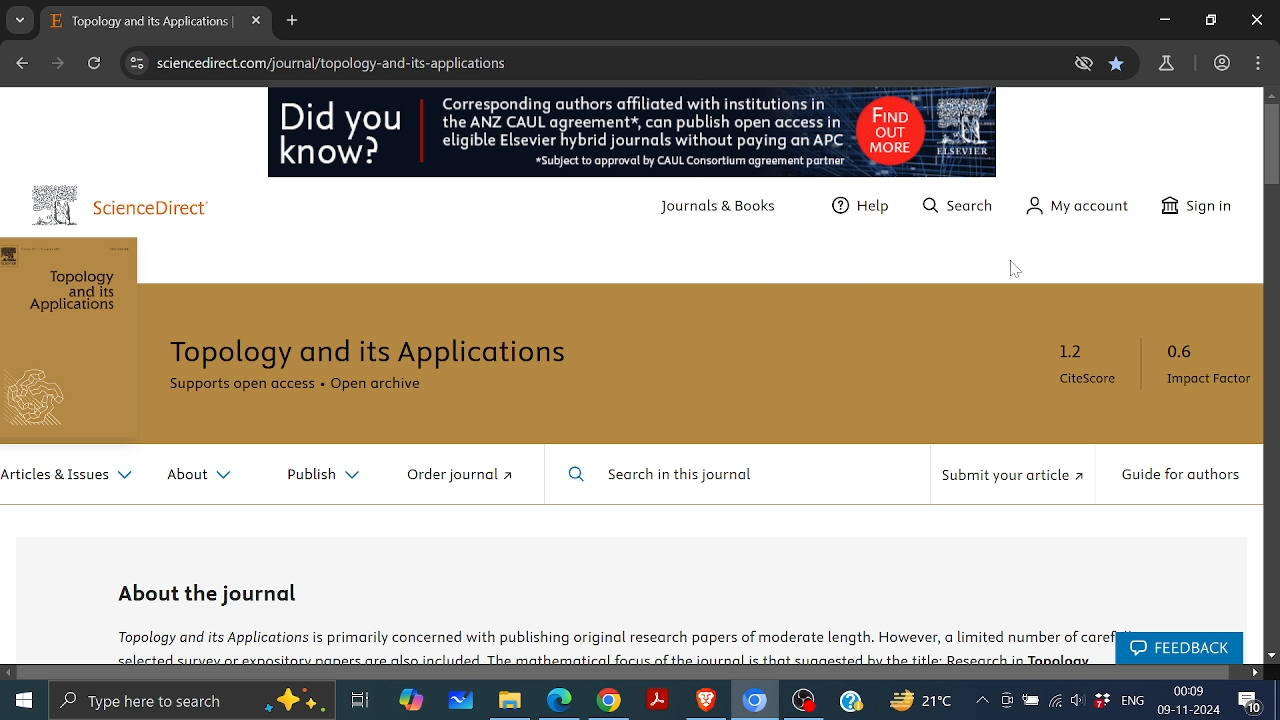 This screenshot has height=720, width=1280. I want to click on Notification, so click(1249, 702).